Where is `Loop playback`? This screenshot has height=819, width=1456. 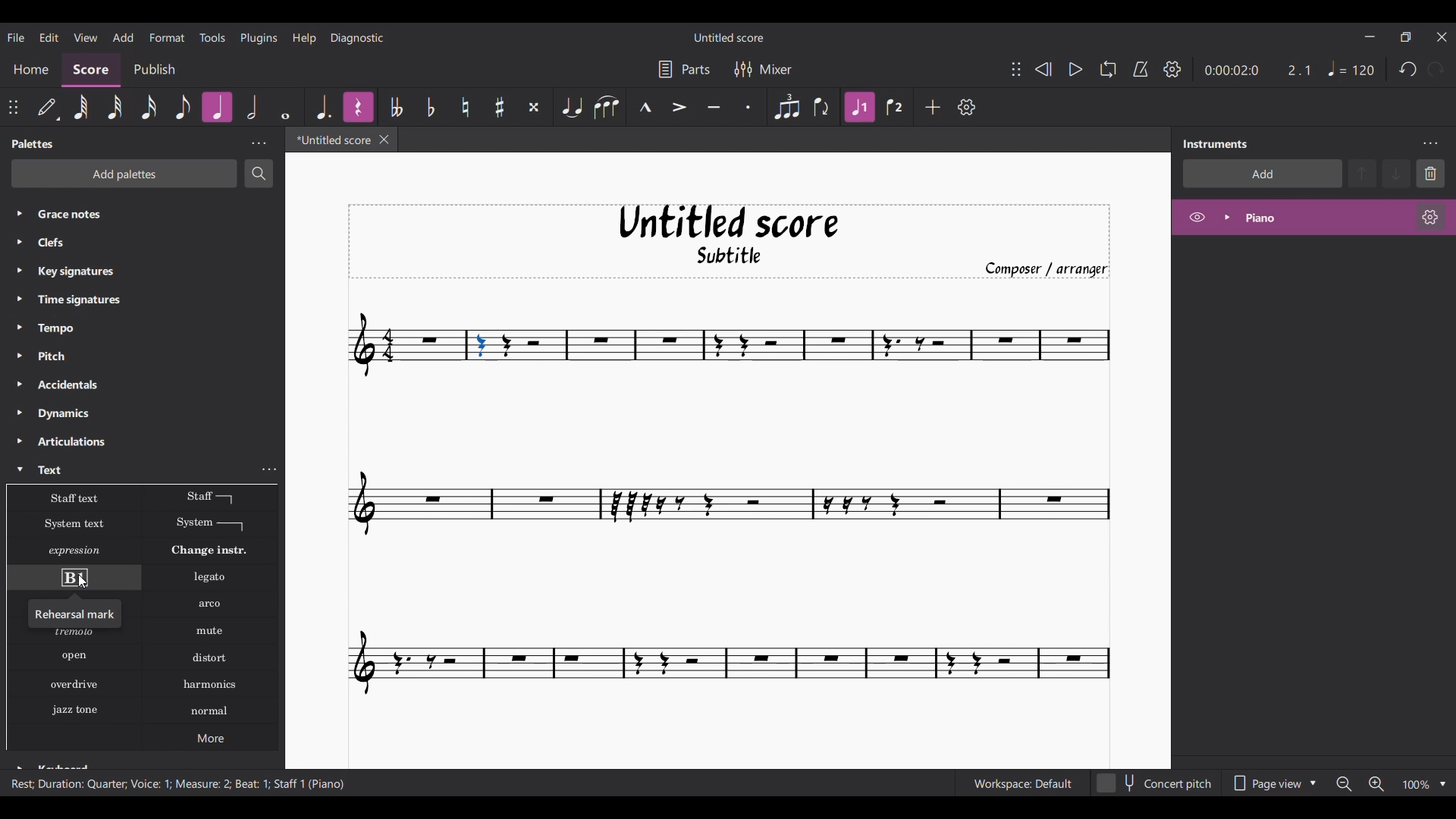 Loop playback is located at coordinates (1107, 69).